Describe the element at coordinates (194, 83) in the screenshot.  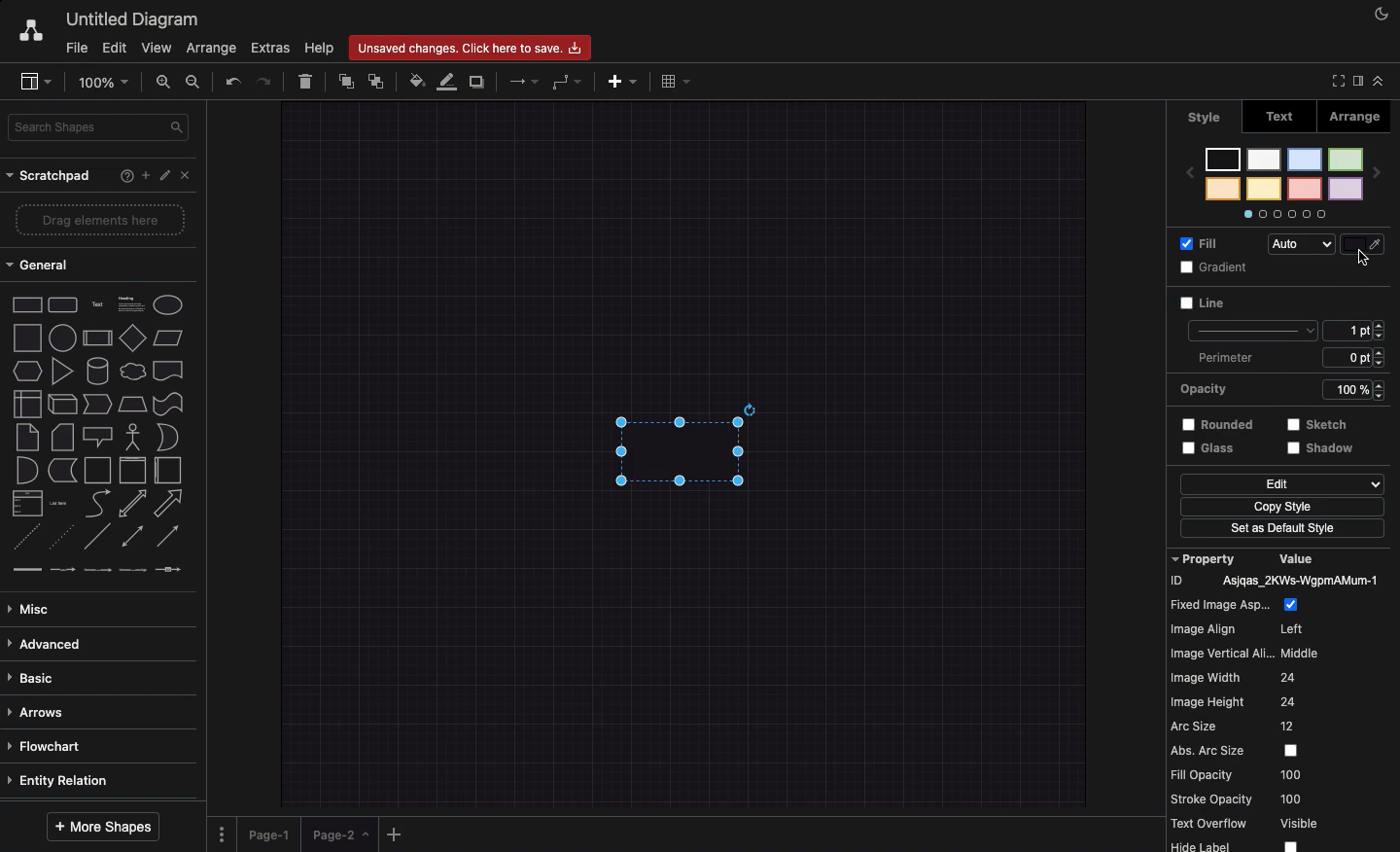
I see `Zoom out` at that location.